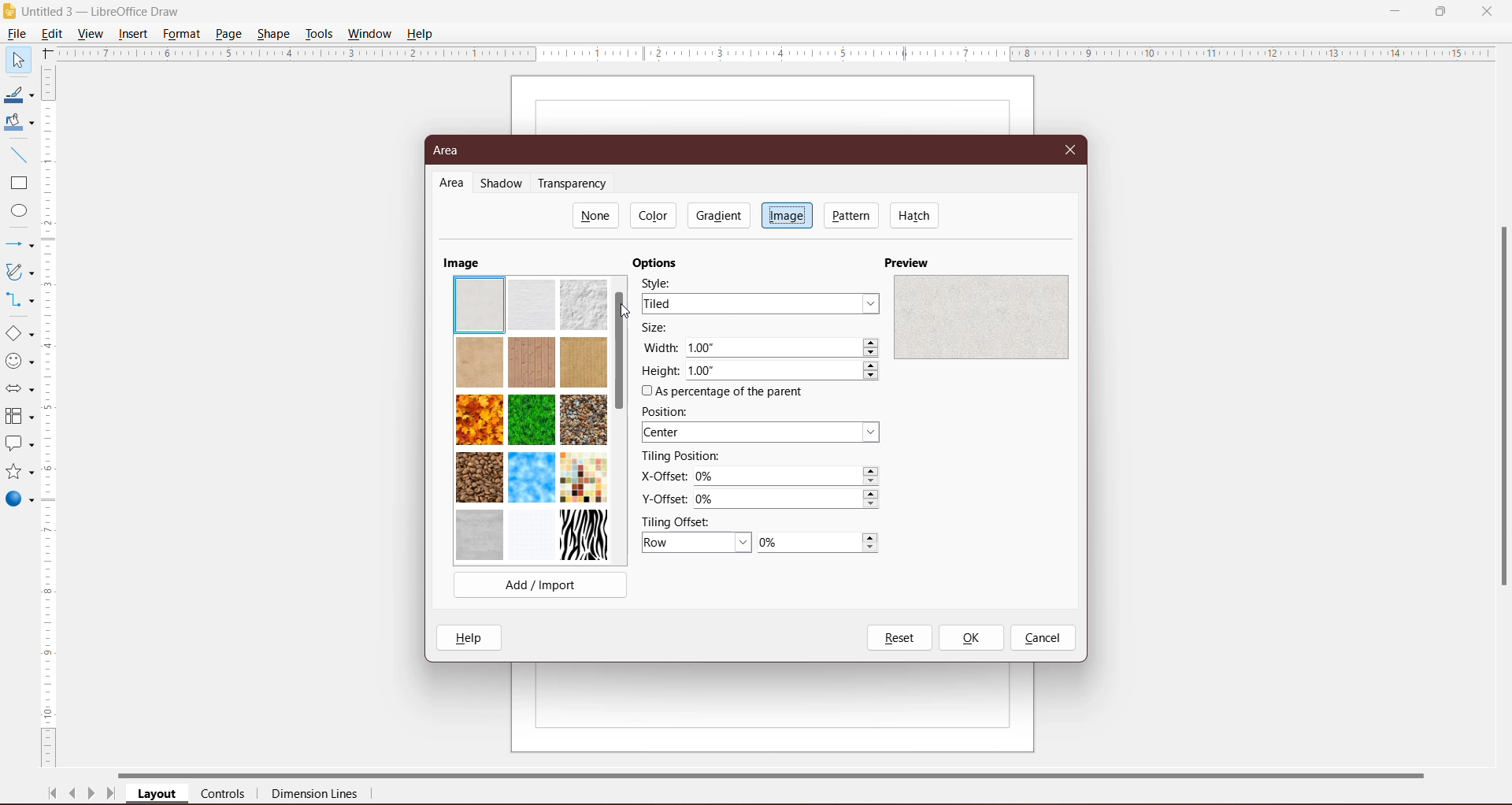 This screenshot has width=1512, height=805. Describe the element at coordinates (15, 213) in the screenshot. I see `Ellipse` at that location.